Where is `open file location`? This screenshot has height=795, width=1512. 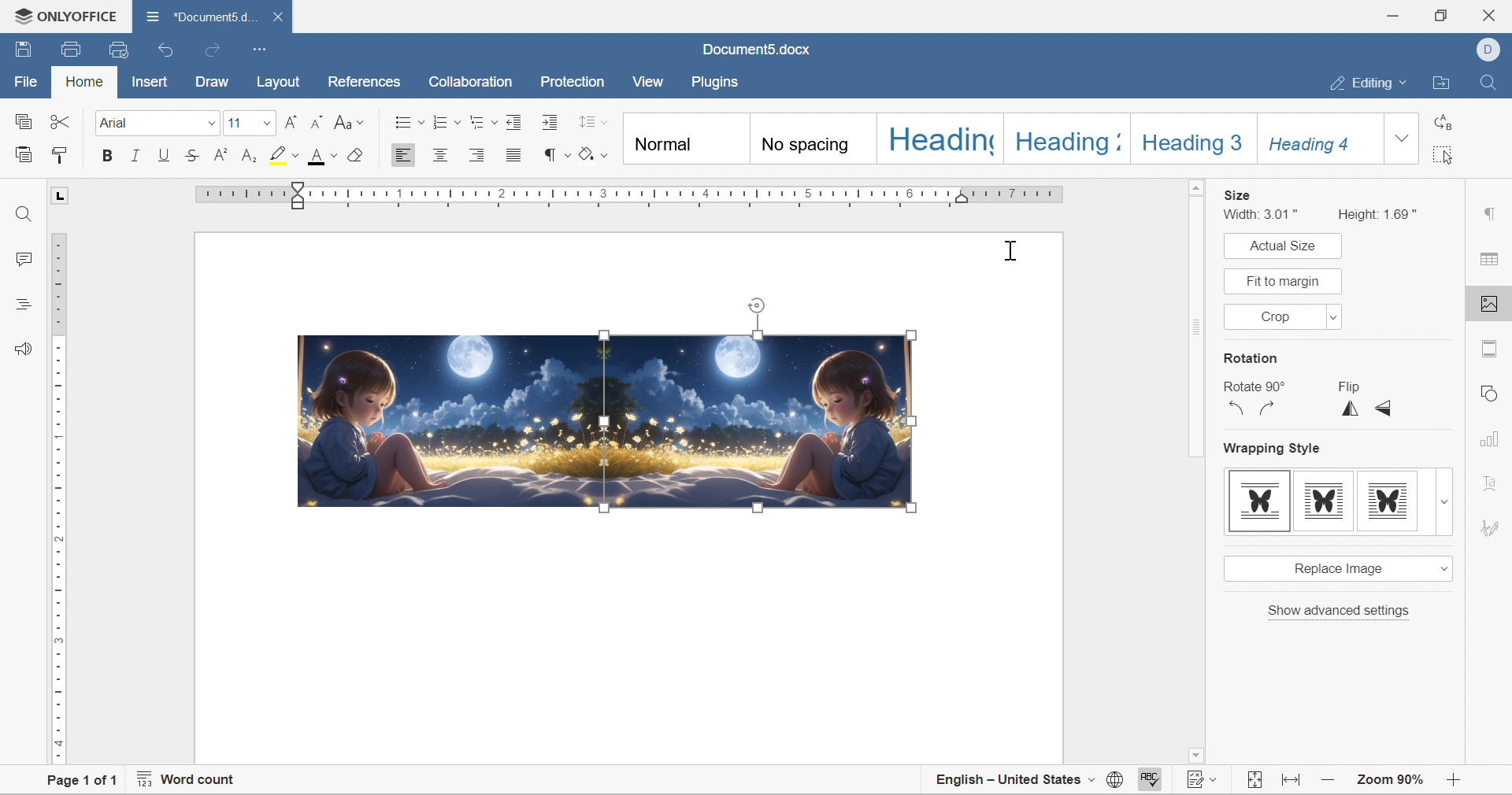 open file location is located at coordinates (1444, 82).